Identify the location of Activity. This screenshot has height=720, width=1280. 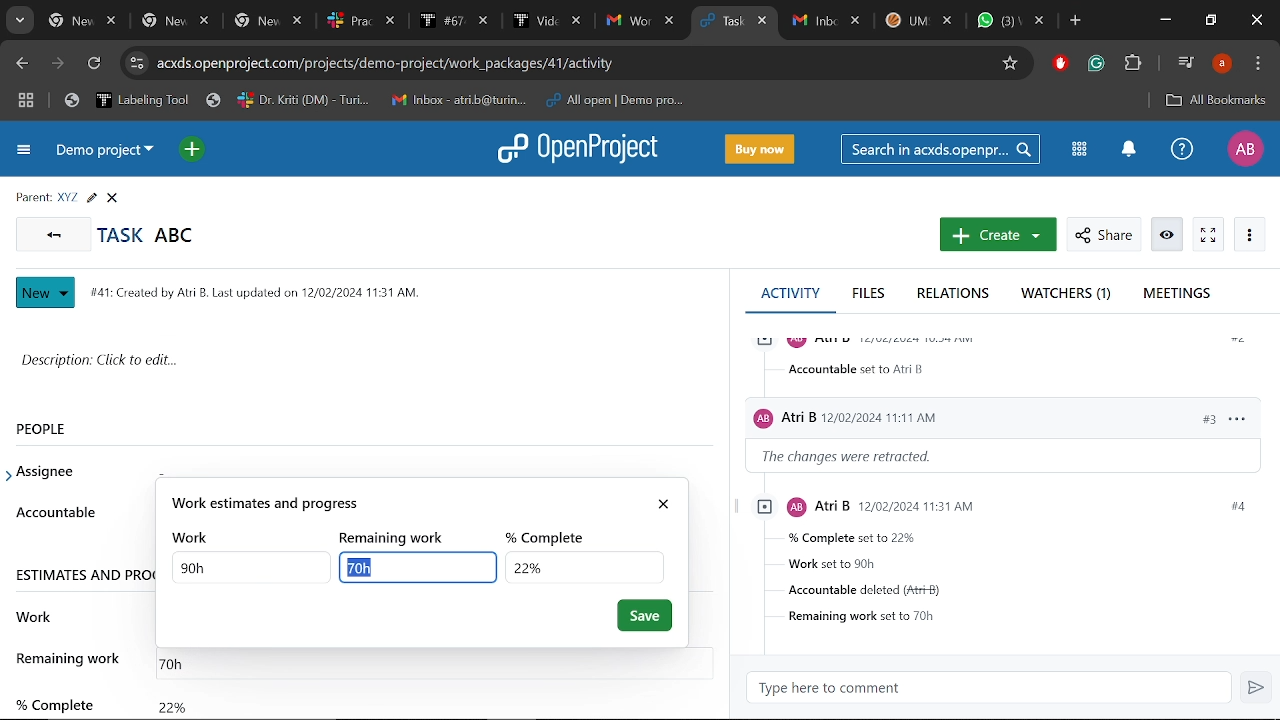
(790, 292).